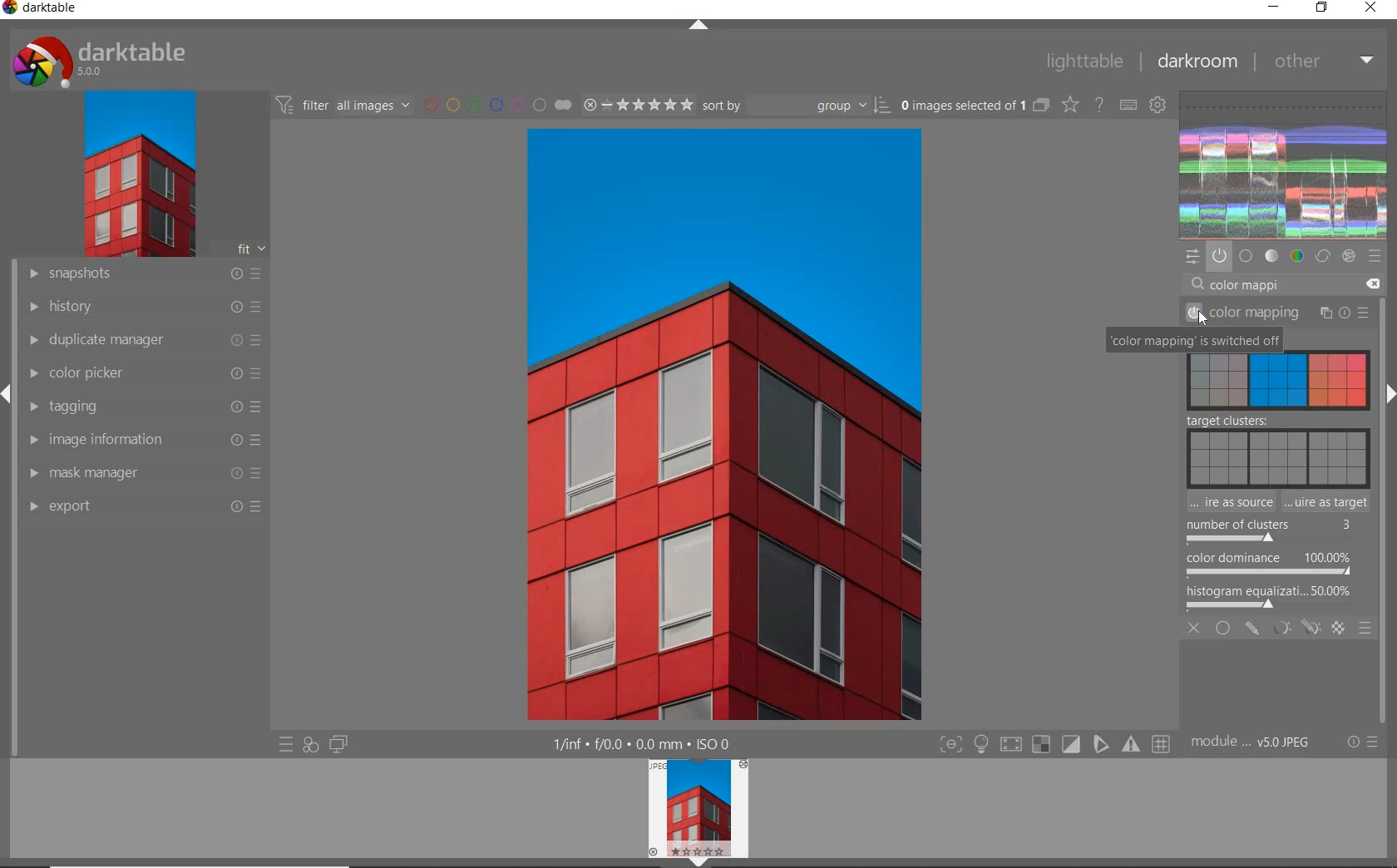 Image resolution: width=1397 pixels, height=868 pixels. I want to click on color, so click(1296, 258).